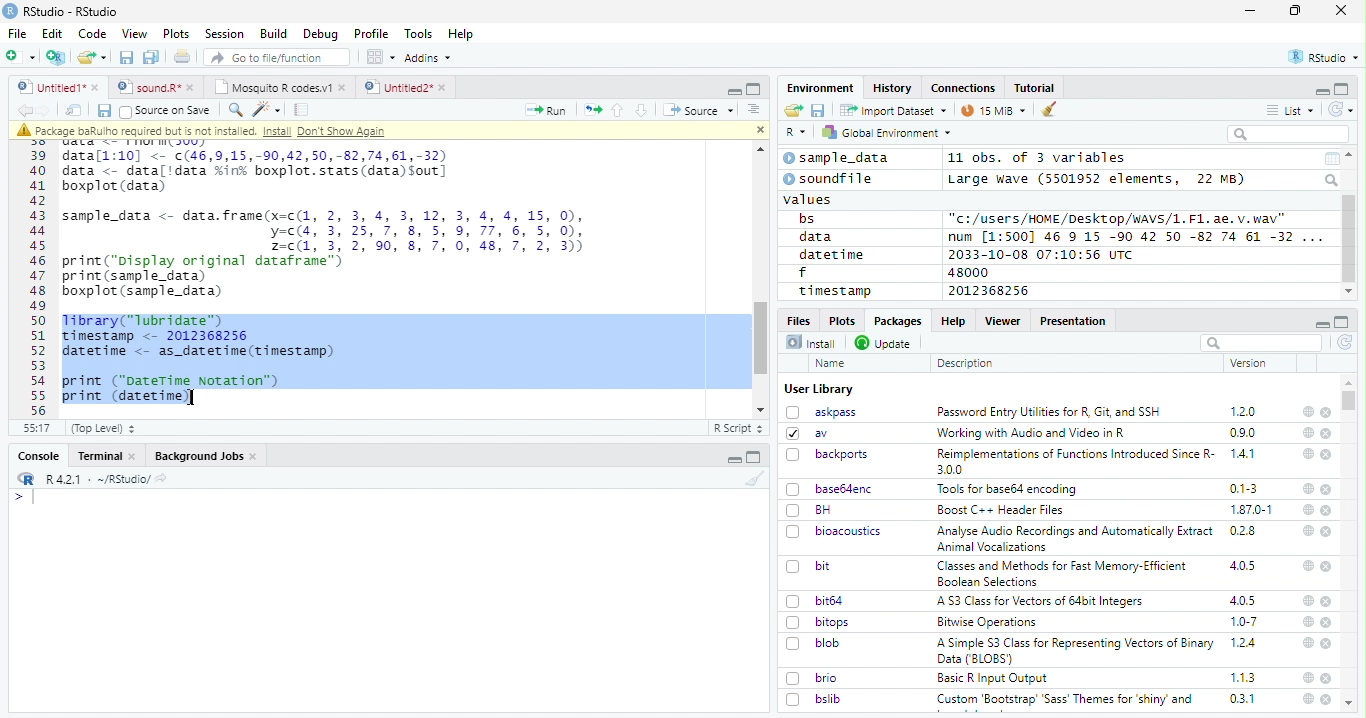  I want to click on R 4.2.1 - ~/RStudio/, so click(95, 479).